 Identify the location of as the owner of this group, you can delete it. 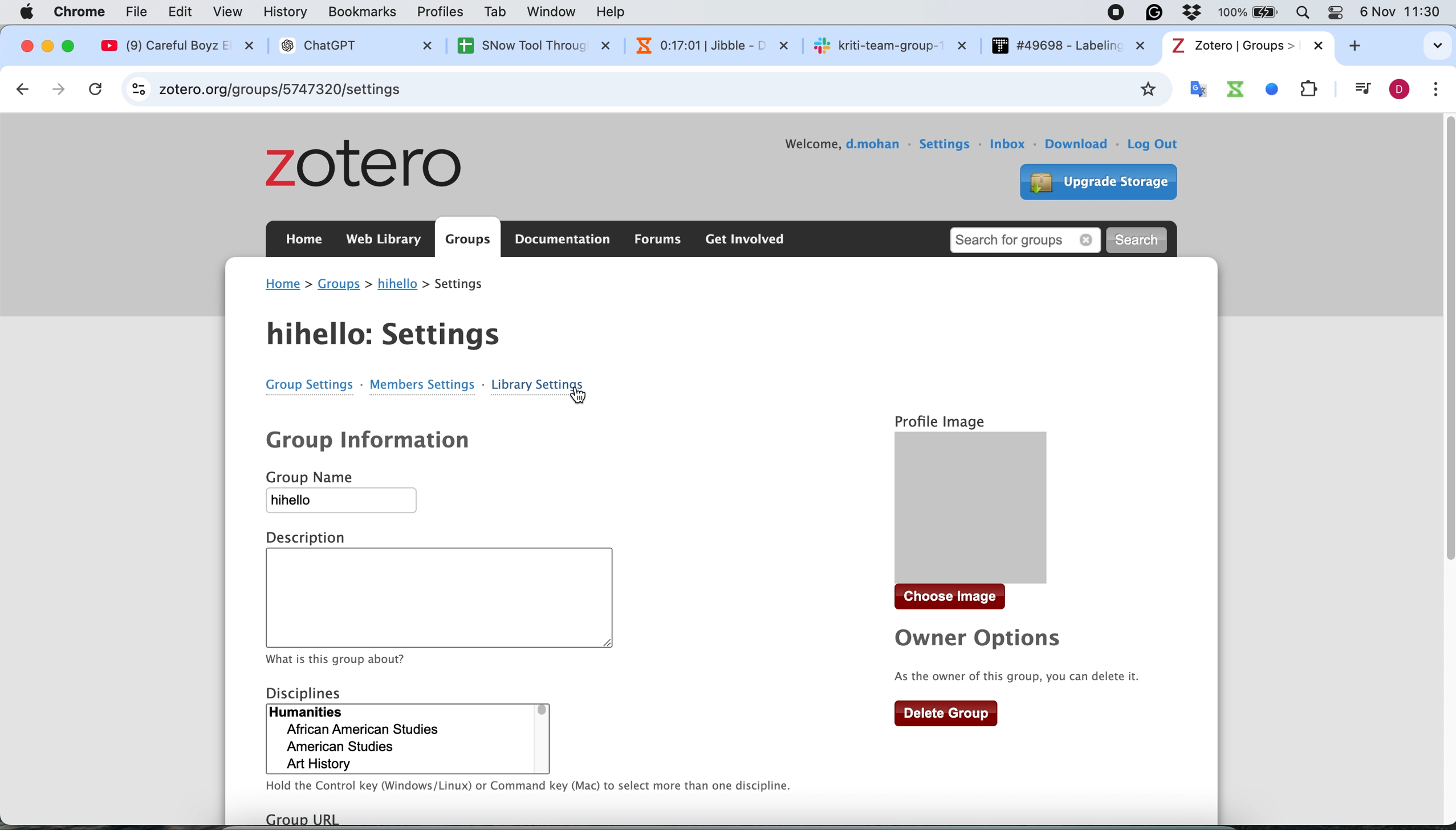
(1022, 677).